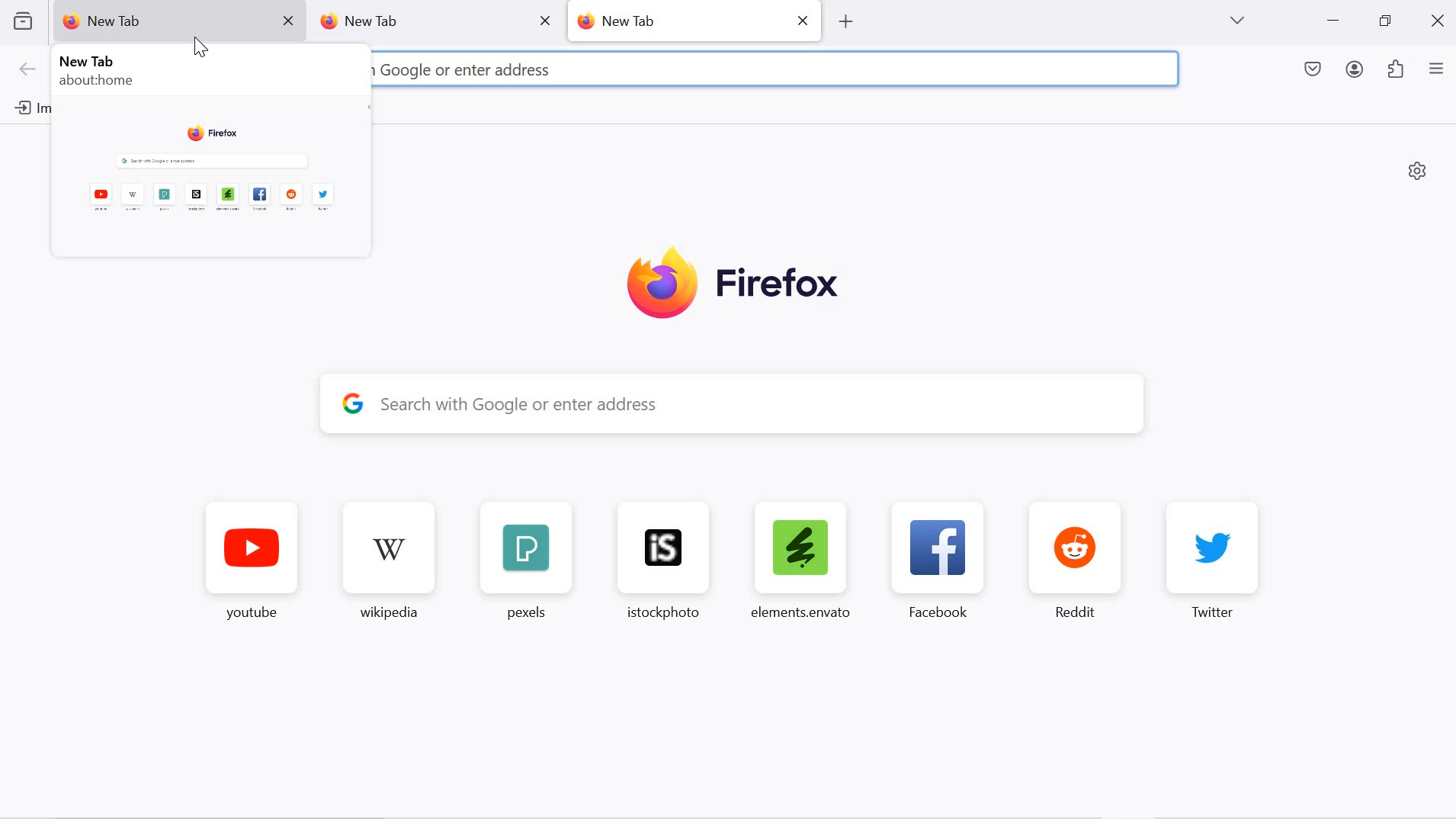 The image size is (1456, 819). I want to click on save to pocket, so click(1314, 71).